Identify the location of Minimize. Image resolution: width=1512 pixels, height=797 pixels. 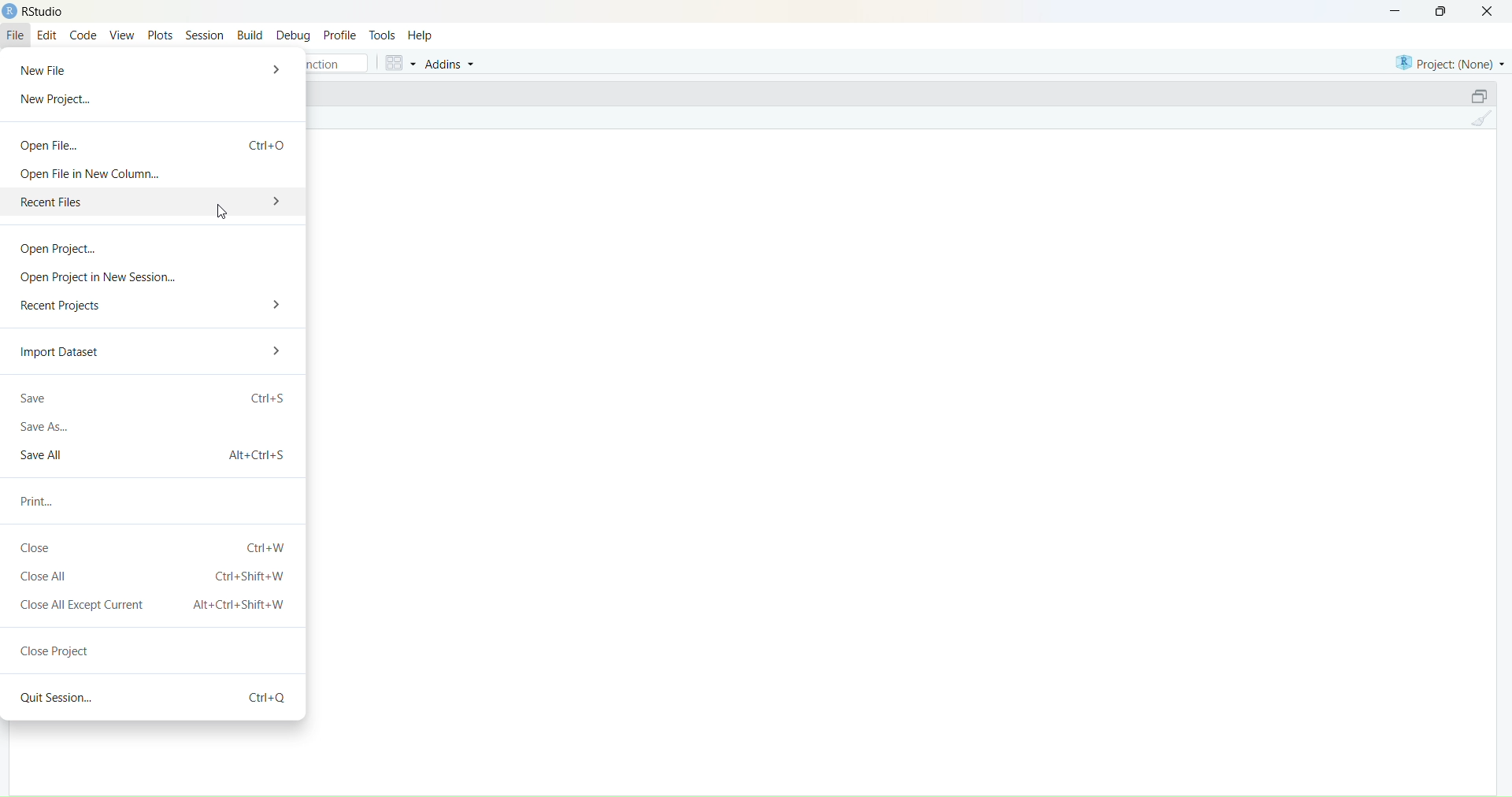
(1392, 11).